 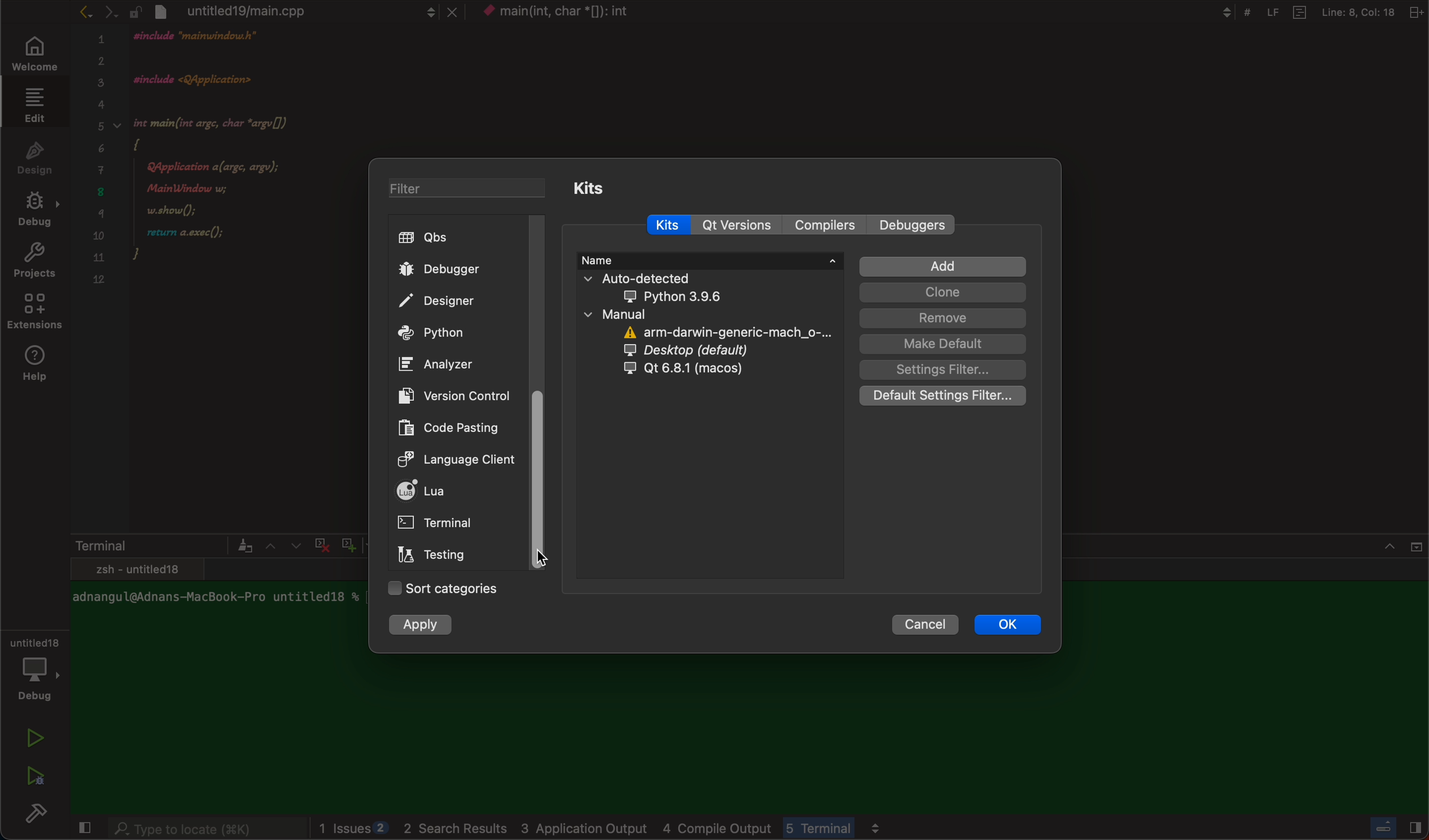 What do you see at coordinates (450, 395) in the screenshot?
I see `version controls ` at bounding box center [450, 395].